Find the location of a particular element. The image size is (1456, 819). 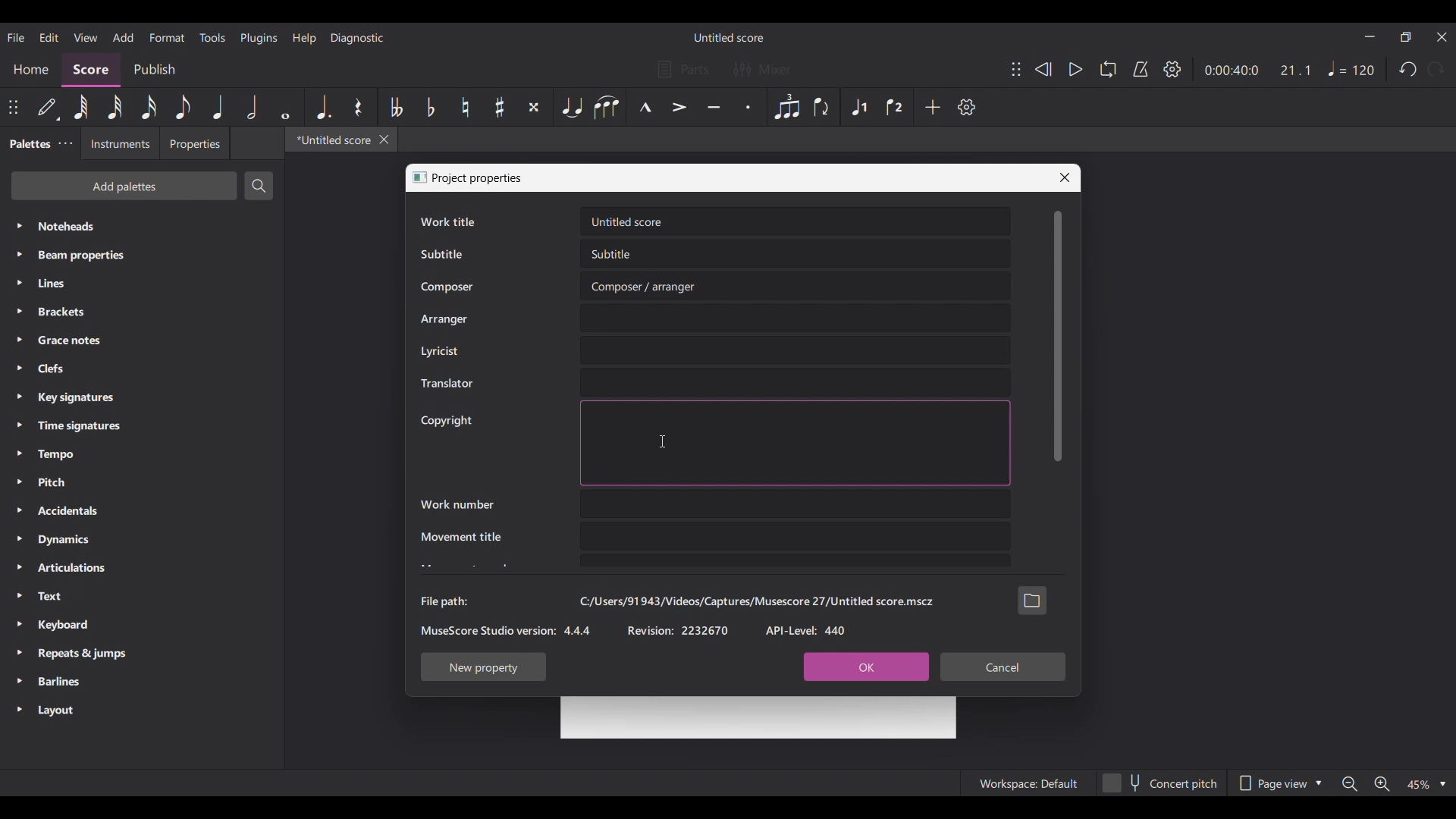

Keyboard is located at coordinates (143, 626).